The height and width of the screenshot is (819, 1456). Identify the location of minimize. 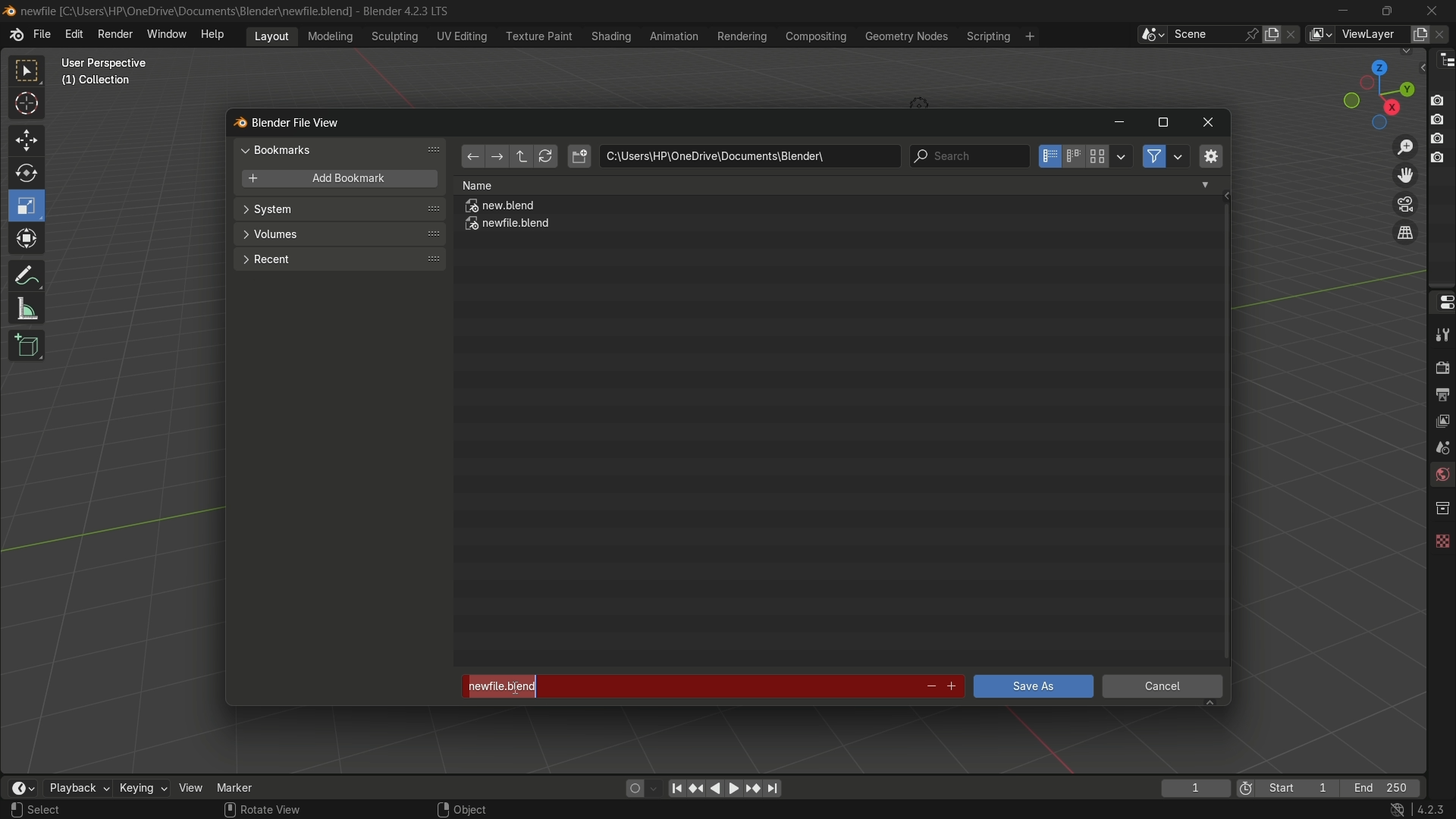
(1119, 124).